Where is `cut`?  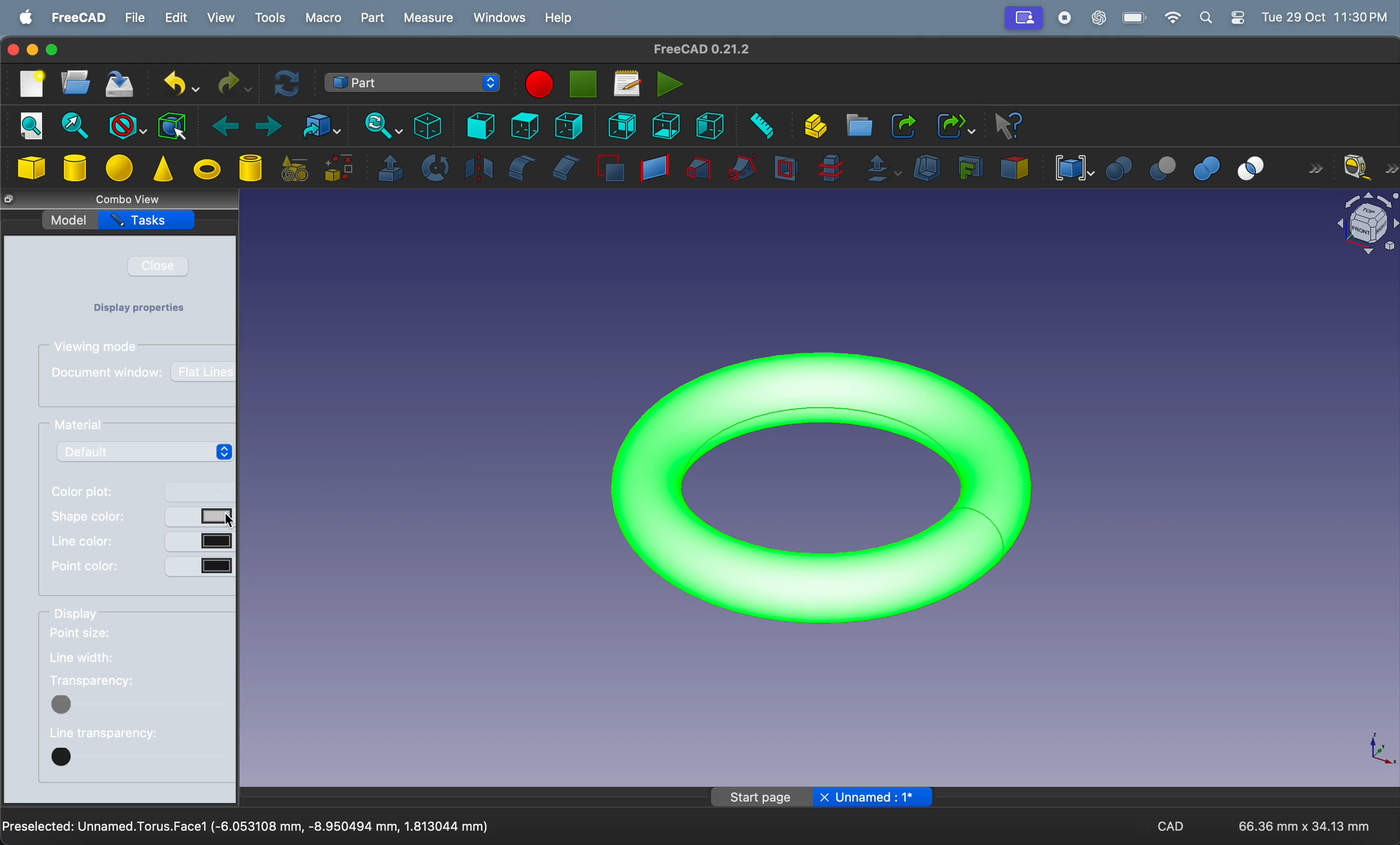
cut is located at coordinates (1158, 166).